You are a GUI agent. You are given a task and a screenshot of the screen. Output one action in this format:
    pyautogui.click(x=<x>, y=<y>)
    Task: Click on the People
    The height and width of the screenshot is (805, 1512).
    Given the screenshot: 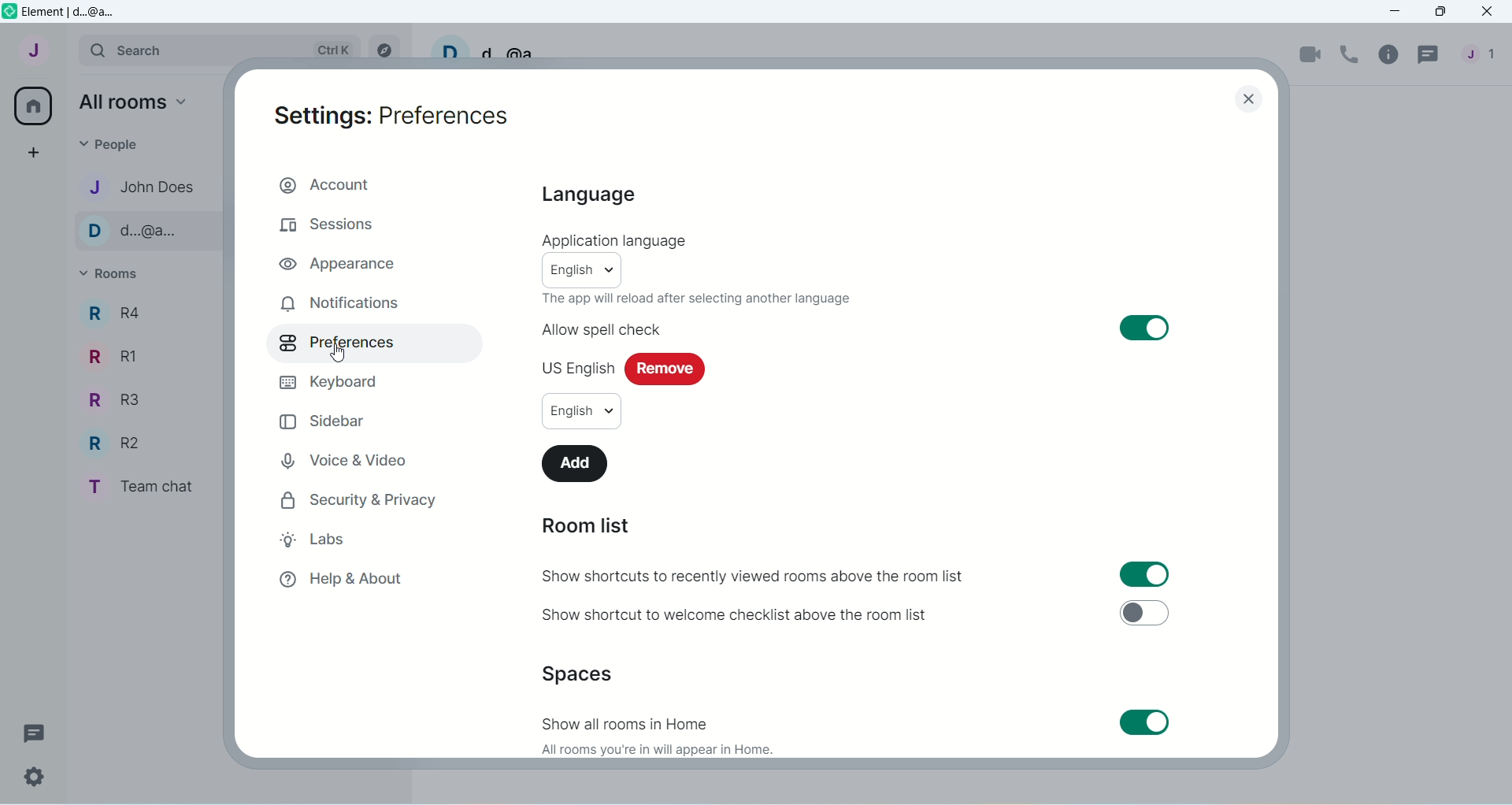 What is the action you would take?
    pyautogui.click(x=1483, y=54)
    